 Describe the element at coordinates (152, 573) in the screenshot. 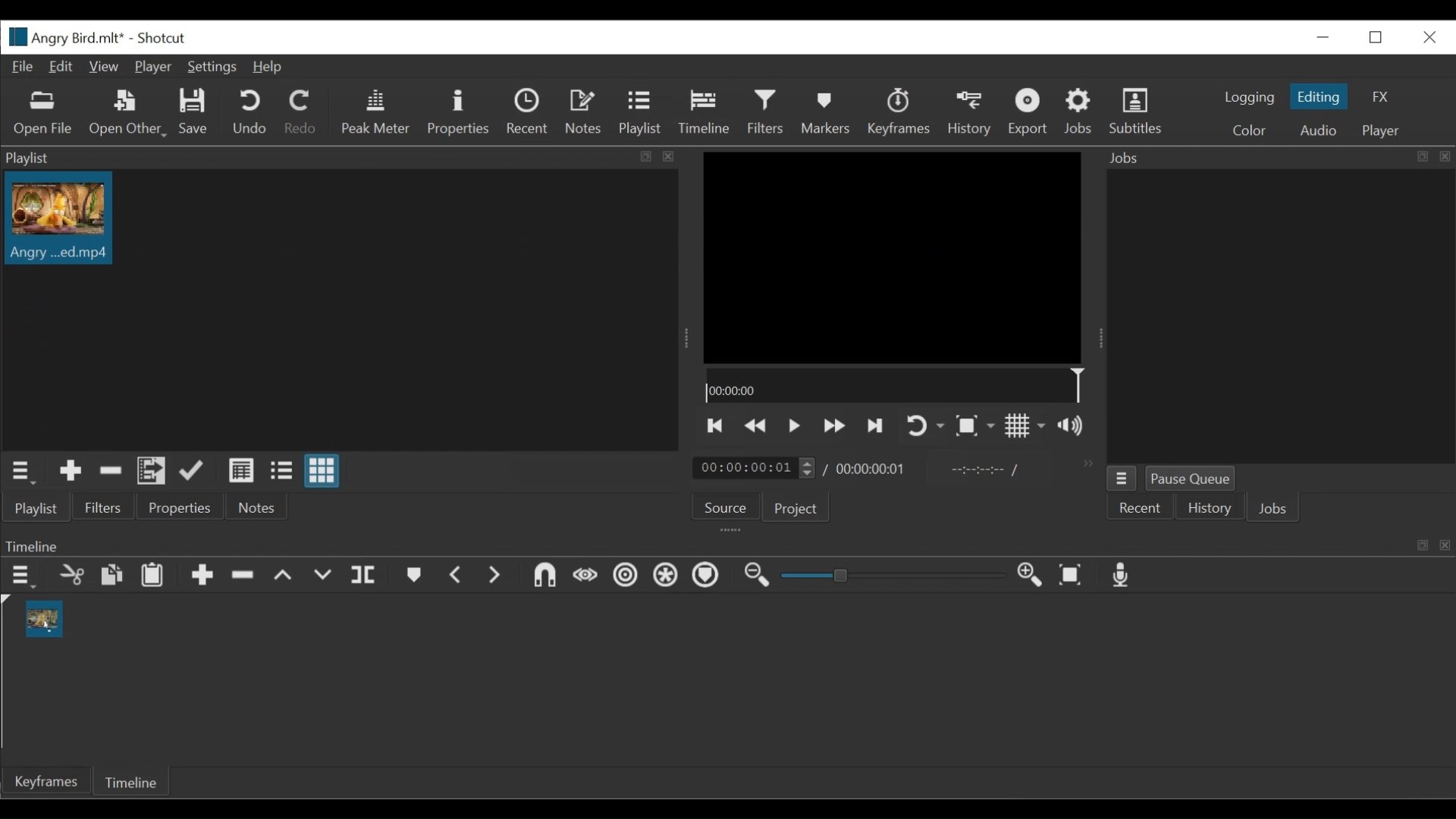

I see `Paste` at that location.